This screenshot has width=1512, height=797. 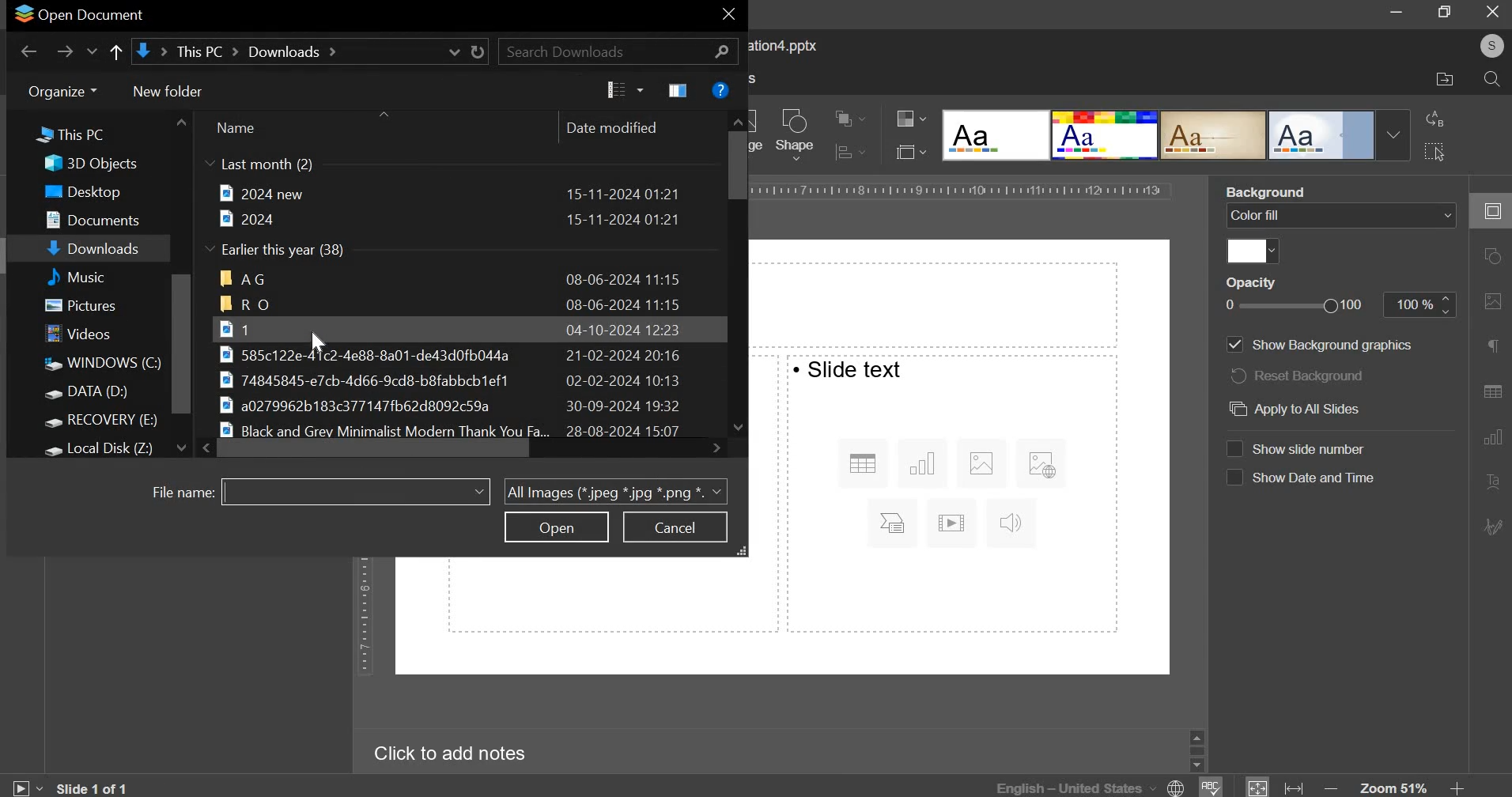 What do you see at coordinates (1106, 136) in the screenshot?
I see `design` at bounding box center [1106, 136].